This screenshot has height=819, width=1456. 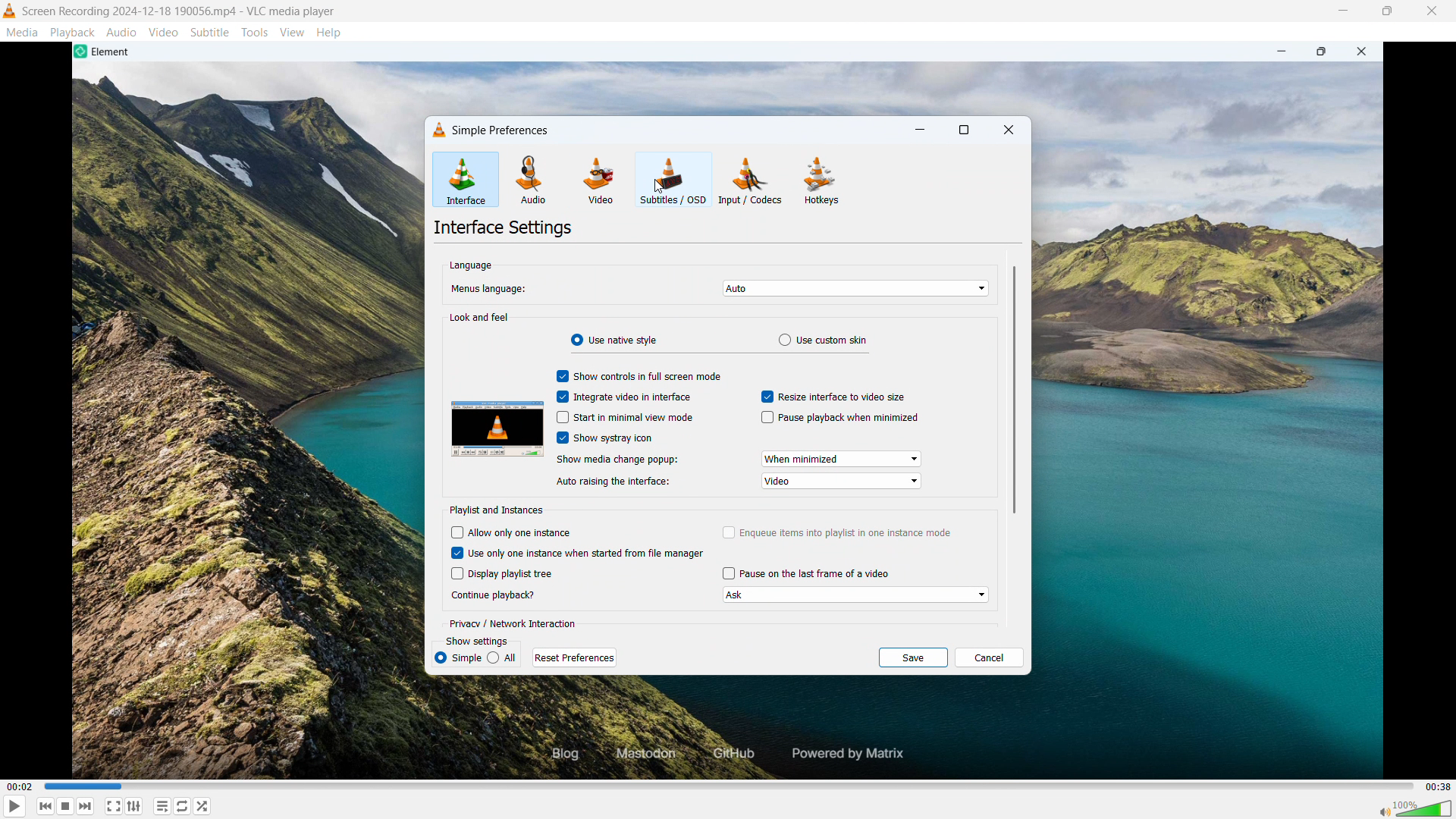 I want to click on Privacy or network interaction , so click(x=512, y=623).